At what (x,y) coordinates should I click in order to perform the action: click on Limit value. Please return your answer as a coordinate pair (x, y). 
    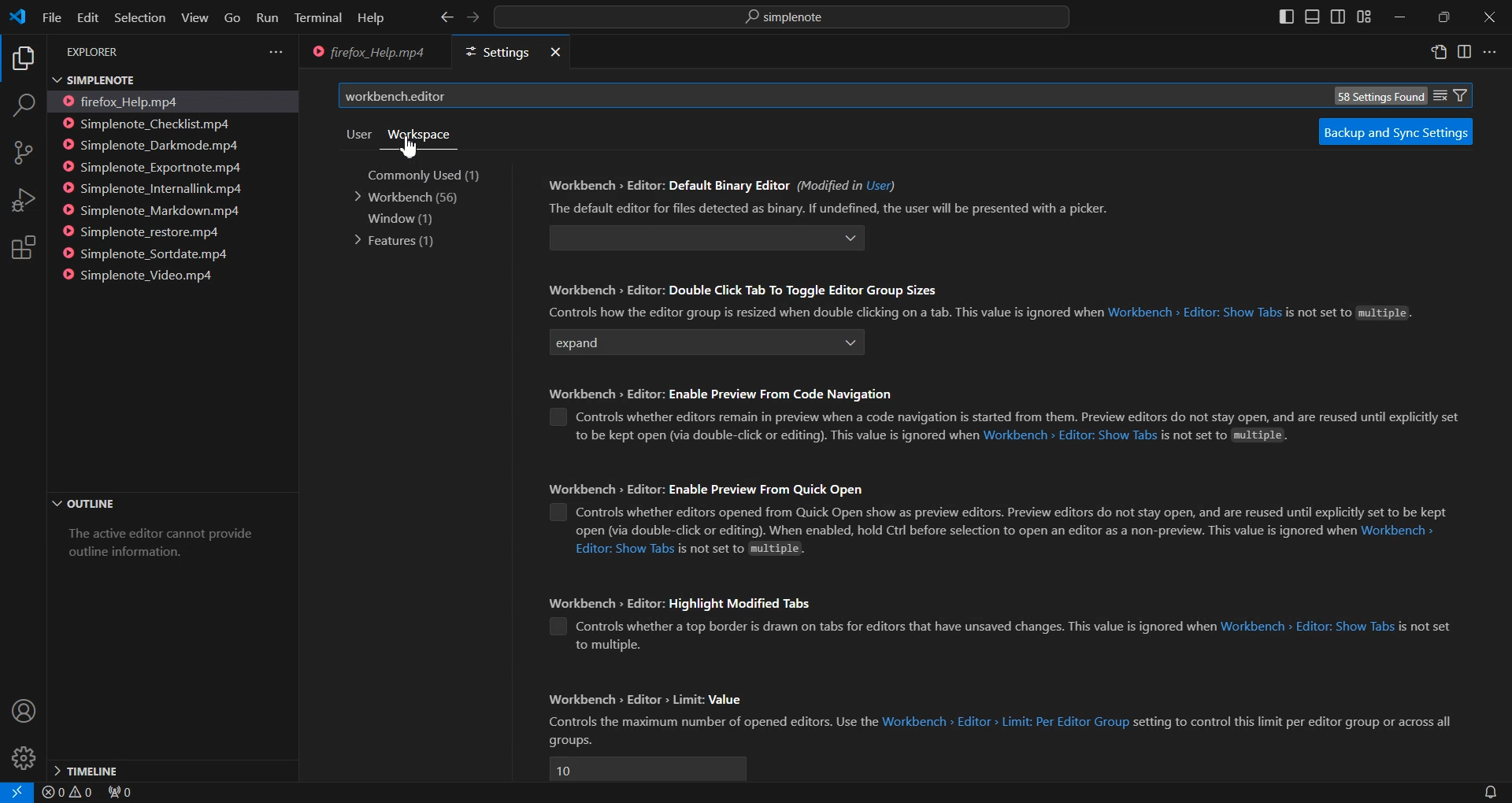
    Looking at the image, I should click on (647, 768).